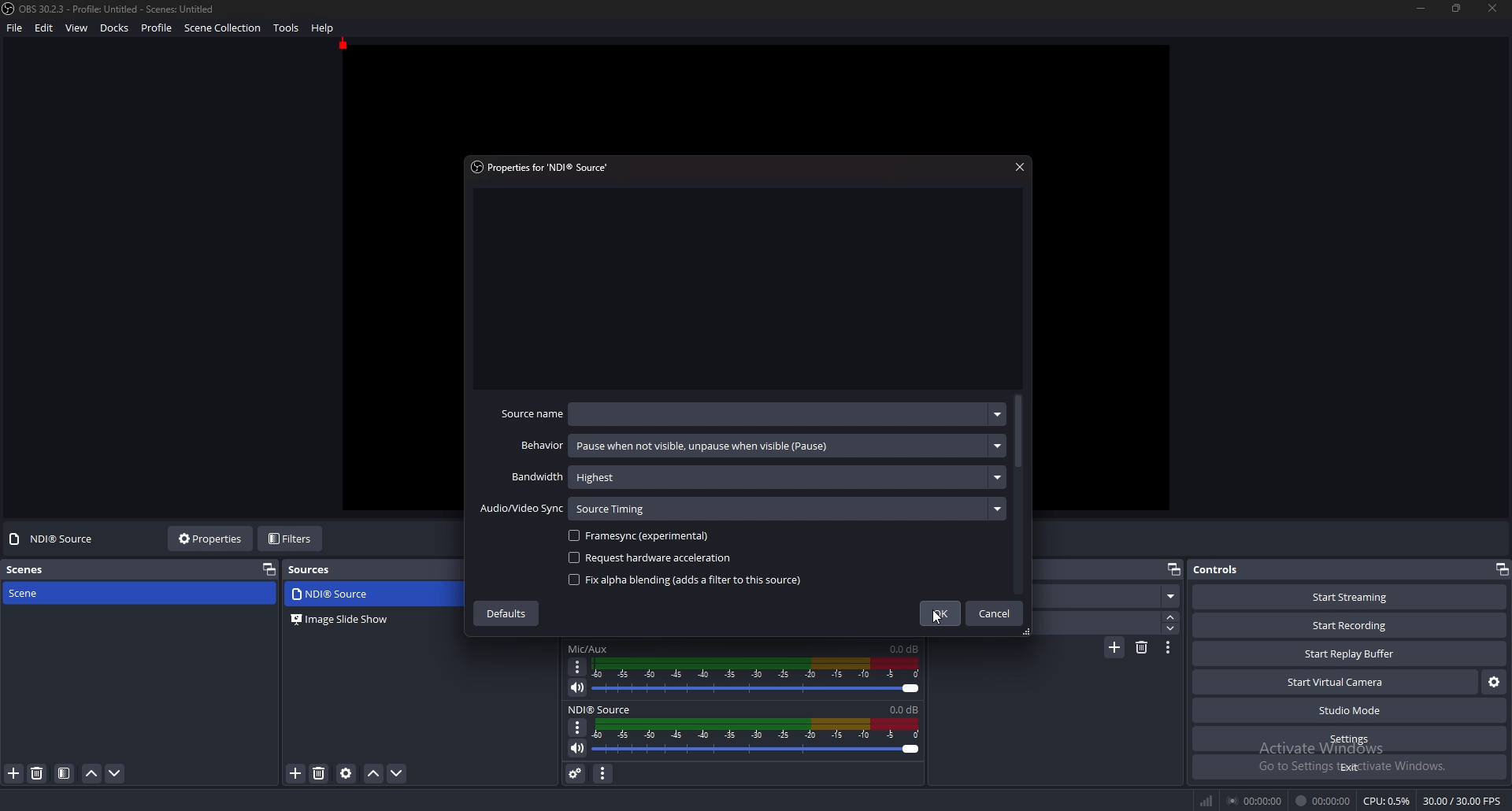 The width and height of the screenshot is (1512, 811). What do you see at coordinates (1237, 568) in the screenshot?
I see `controls` at bounding box center [1237, 568].